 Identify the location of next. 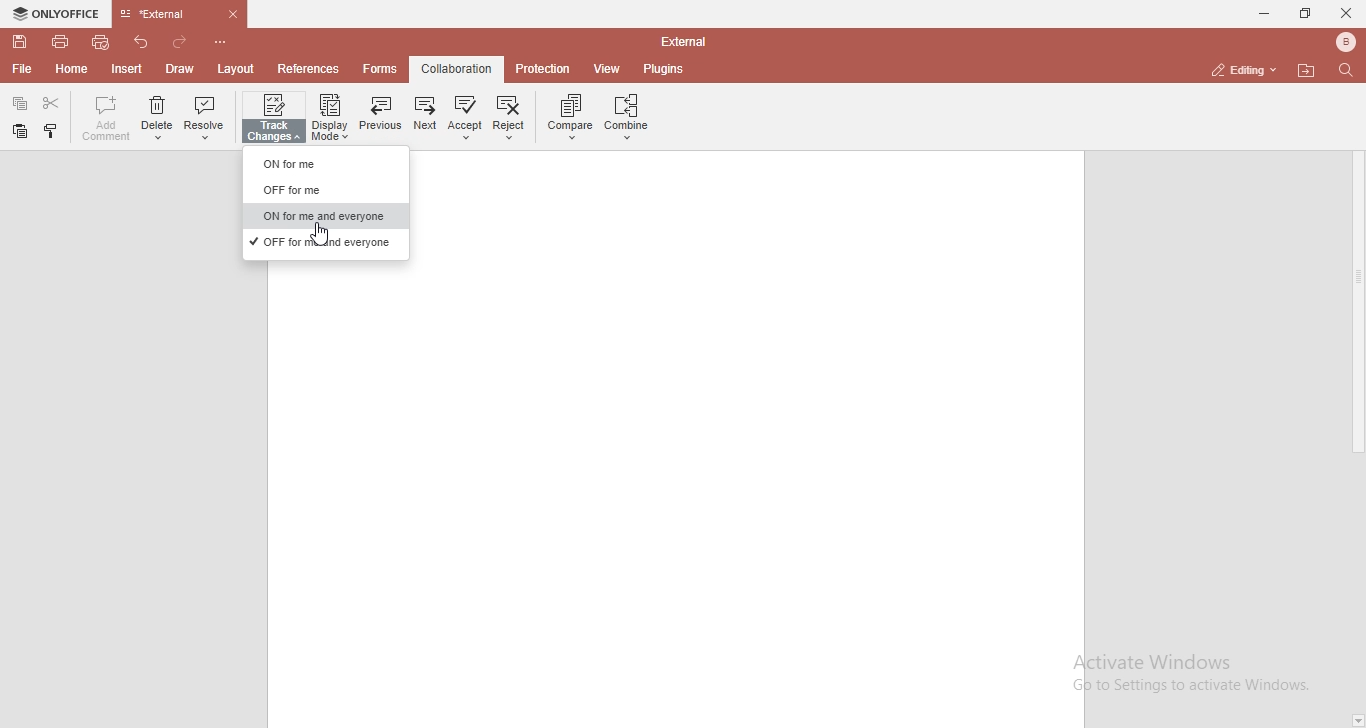
(423, 117).